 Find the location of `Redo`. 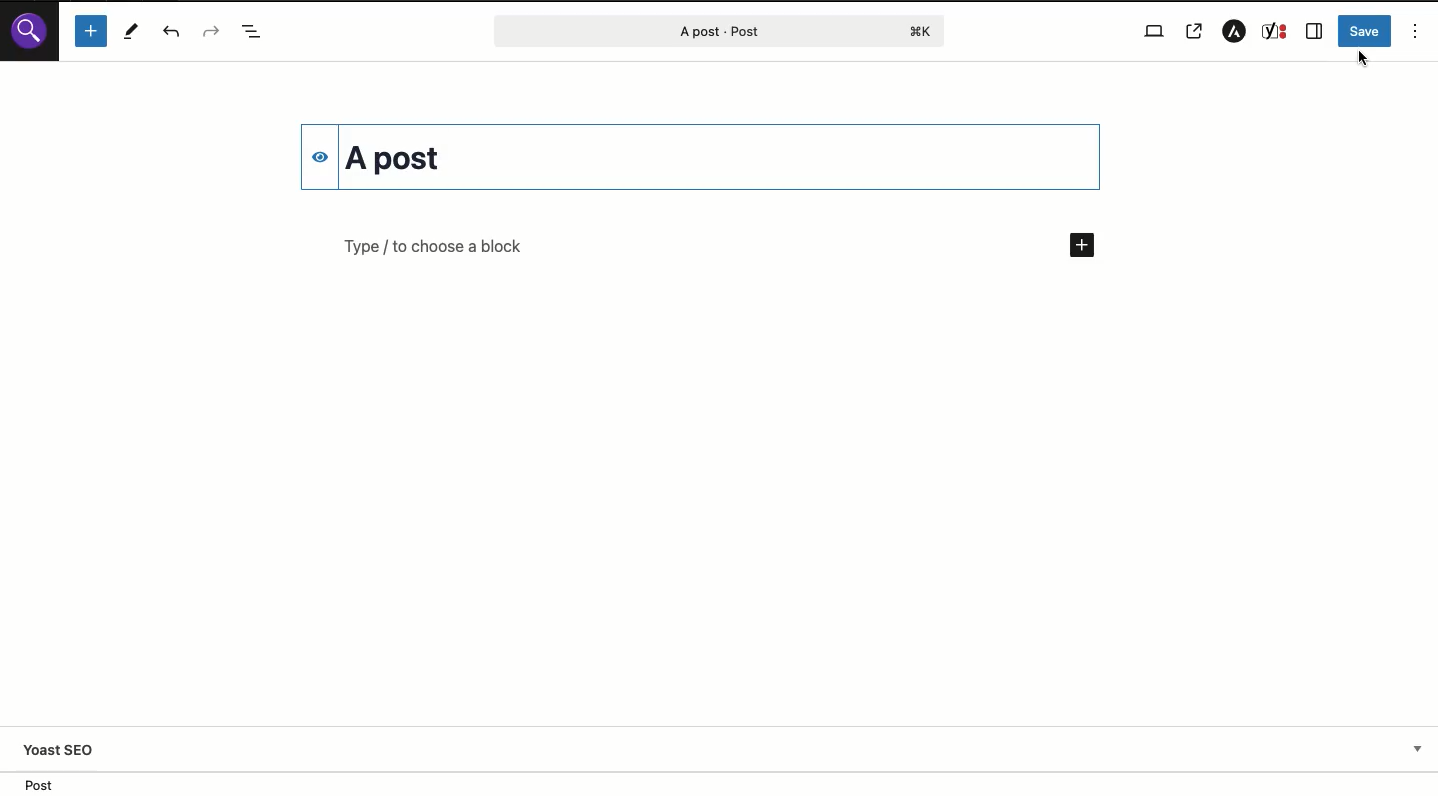

Redo is located at coordinates (209, 31).